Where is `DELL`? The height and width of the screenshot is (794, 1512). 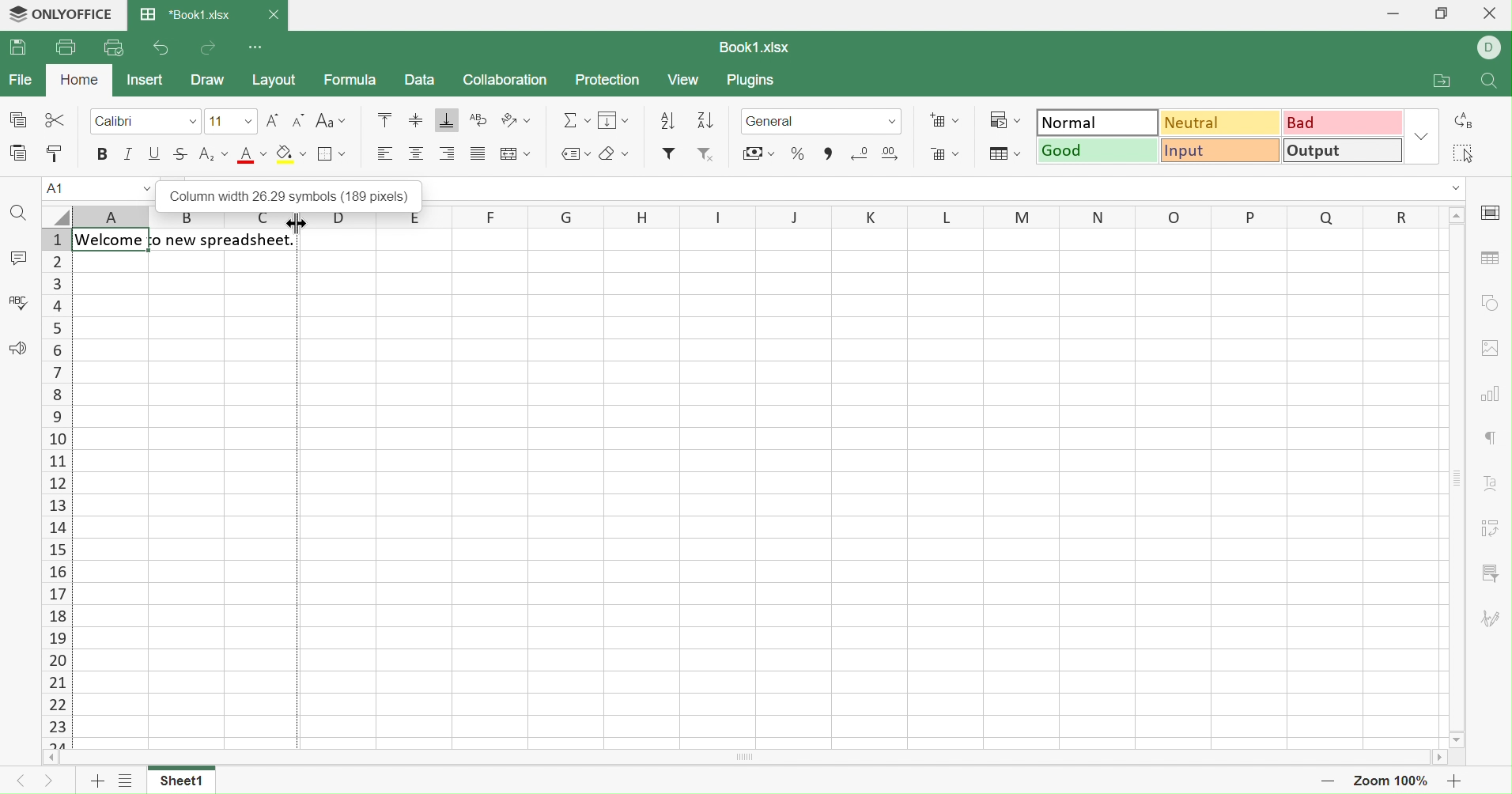
DELL is located at coordinates (1490, 47).